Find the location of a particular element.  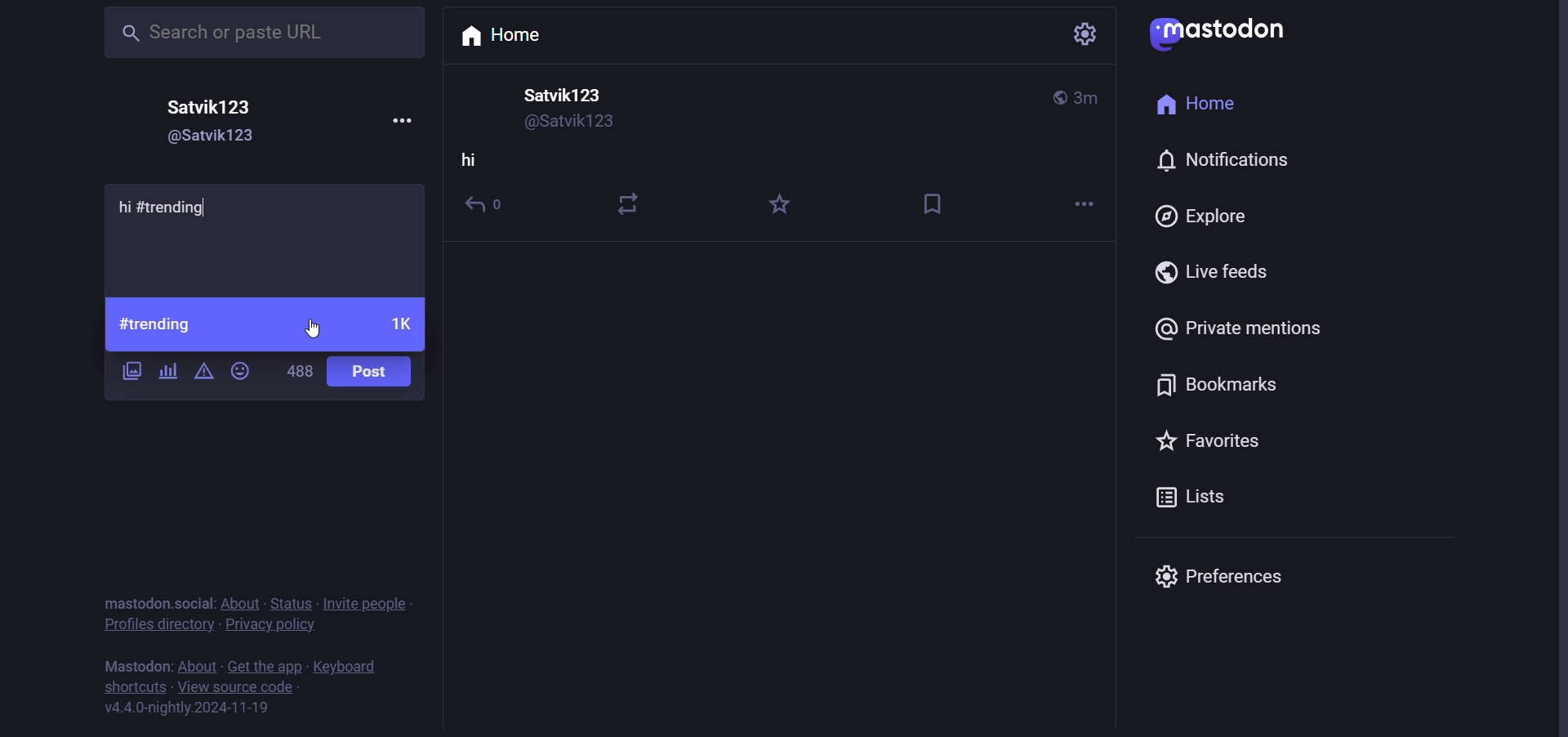

user id is located at coordinates (575, 123).